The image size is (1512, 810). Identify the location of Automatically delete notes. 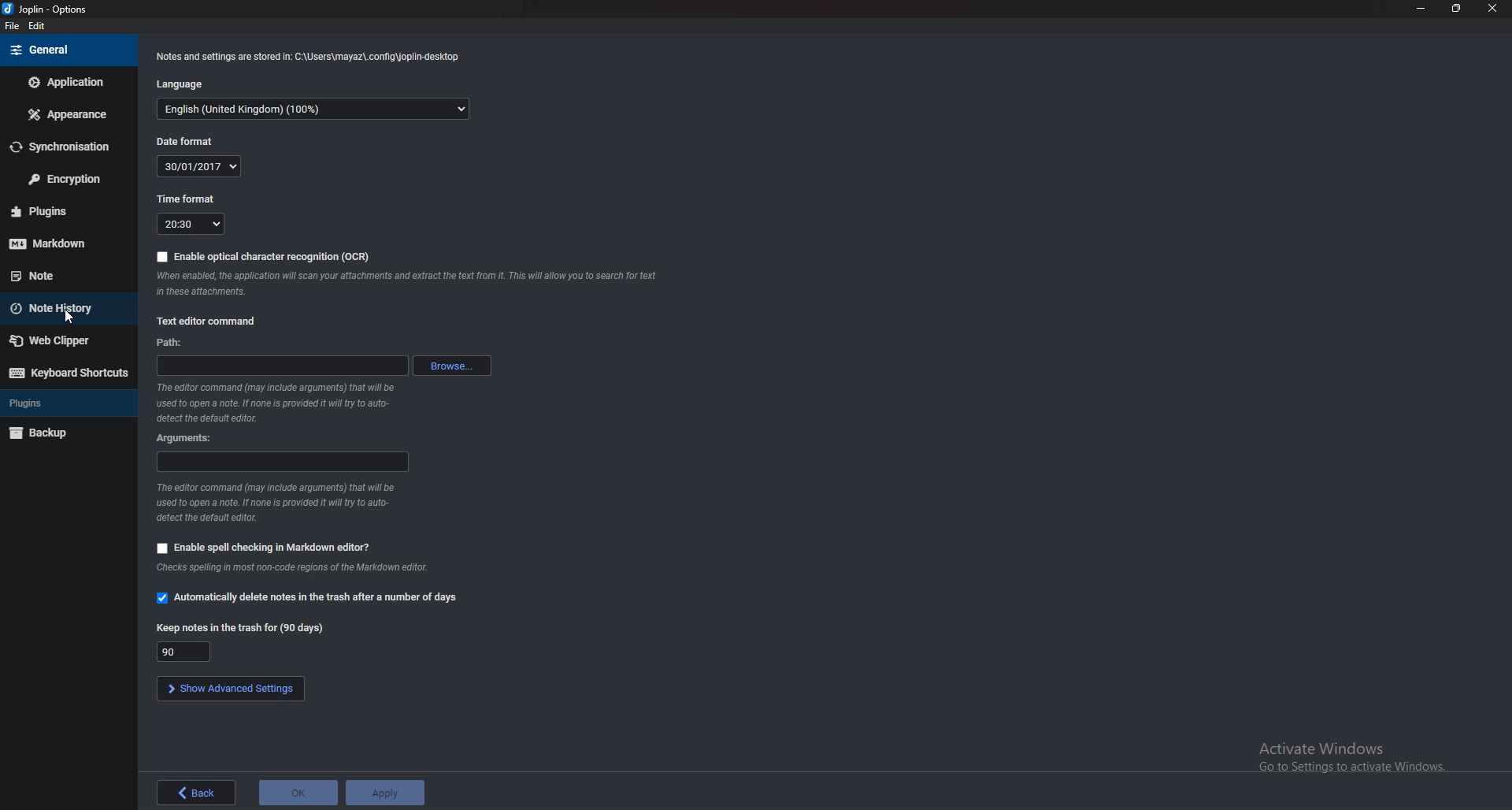
(312, 597).